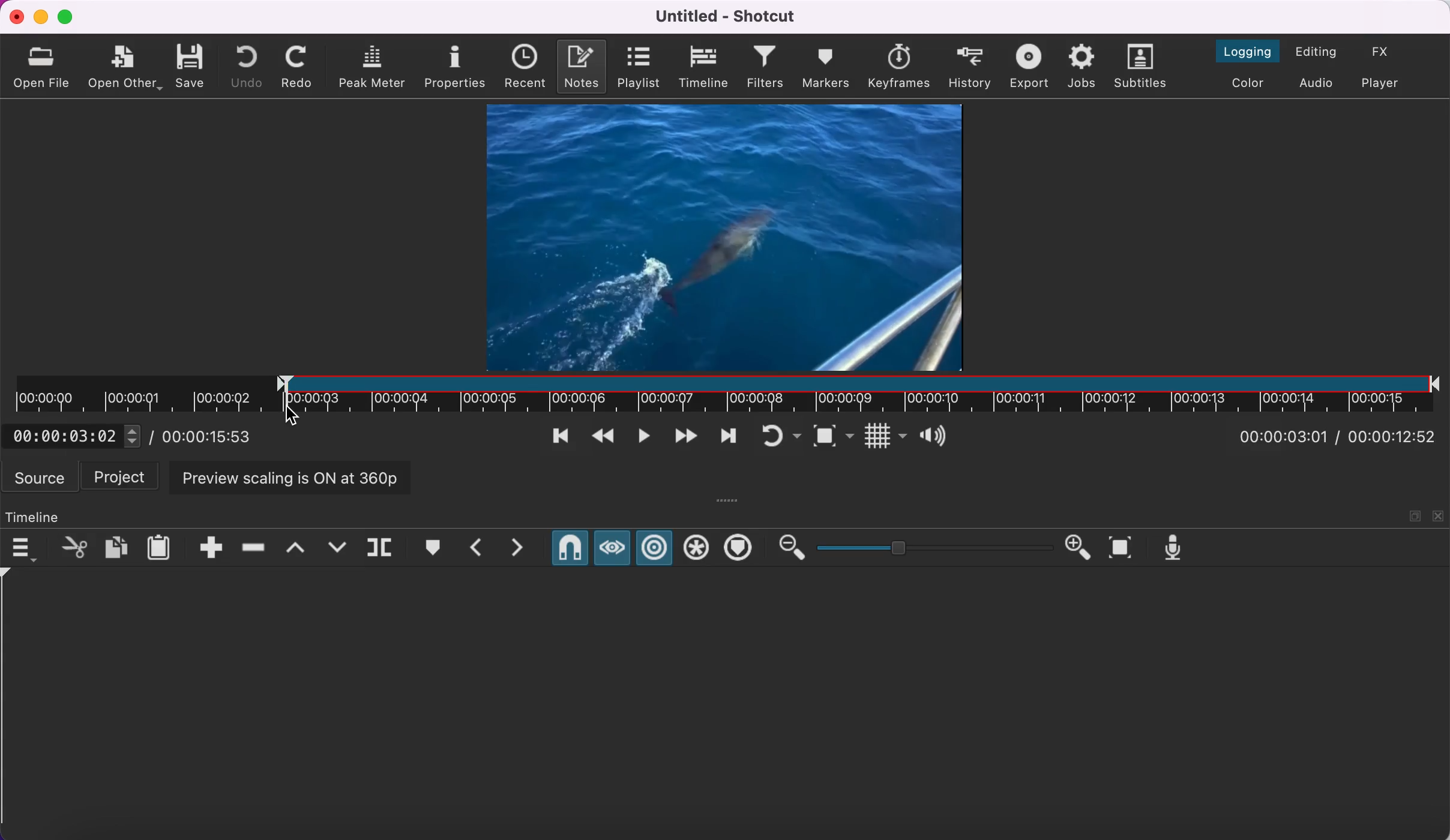 This screenshot has width=1450, height=840. I want to click on scrub while dragging, so click(612, 547).